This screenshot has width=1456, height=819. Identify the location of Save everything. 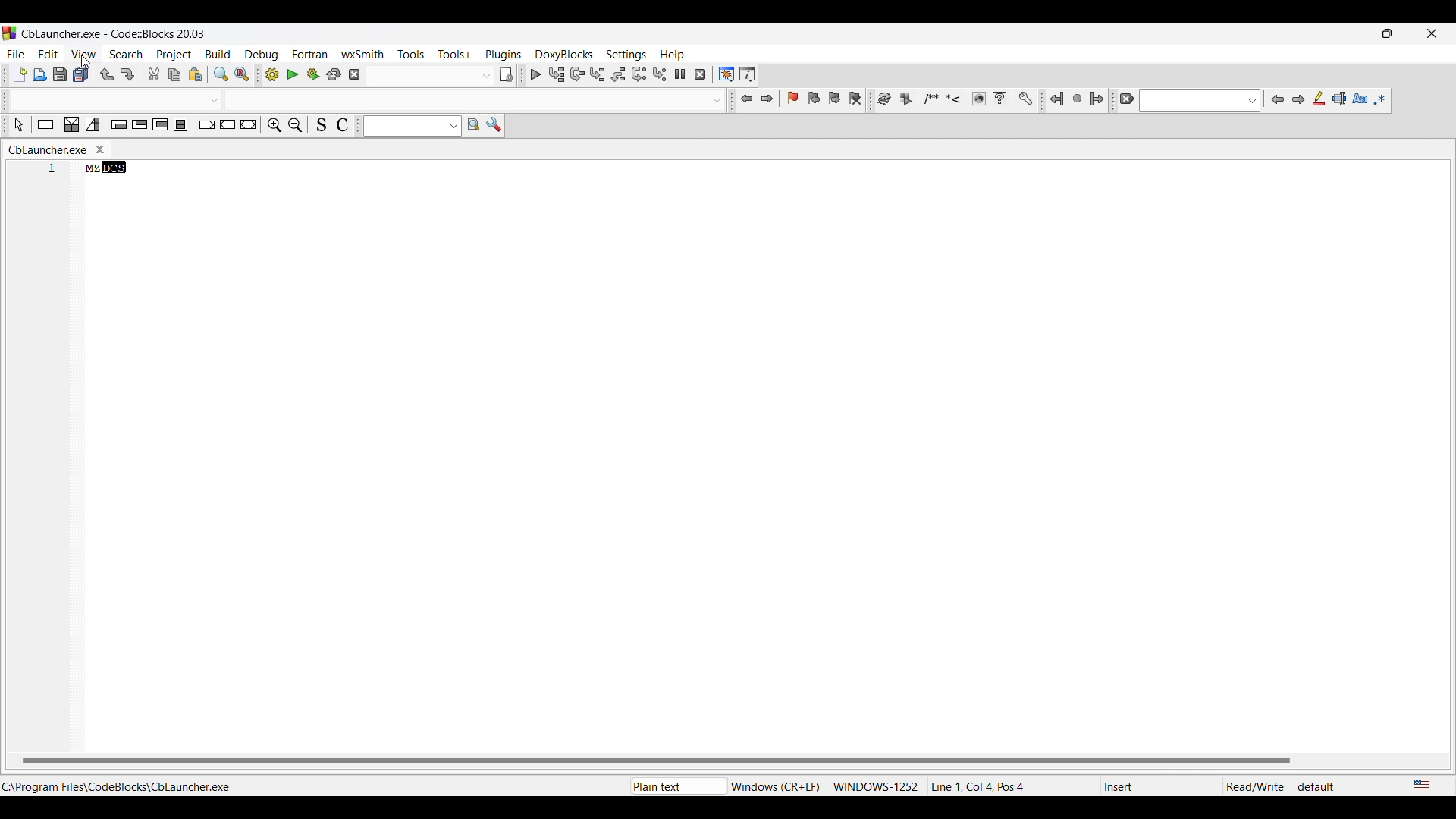
(81, 74).